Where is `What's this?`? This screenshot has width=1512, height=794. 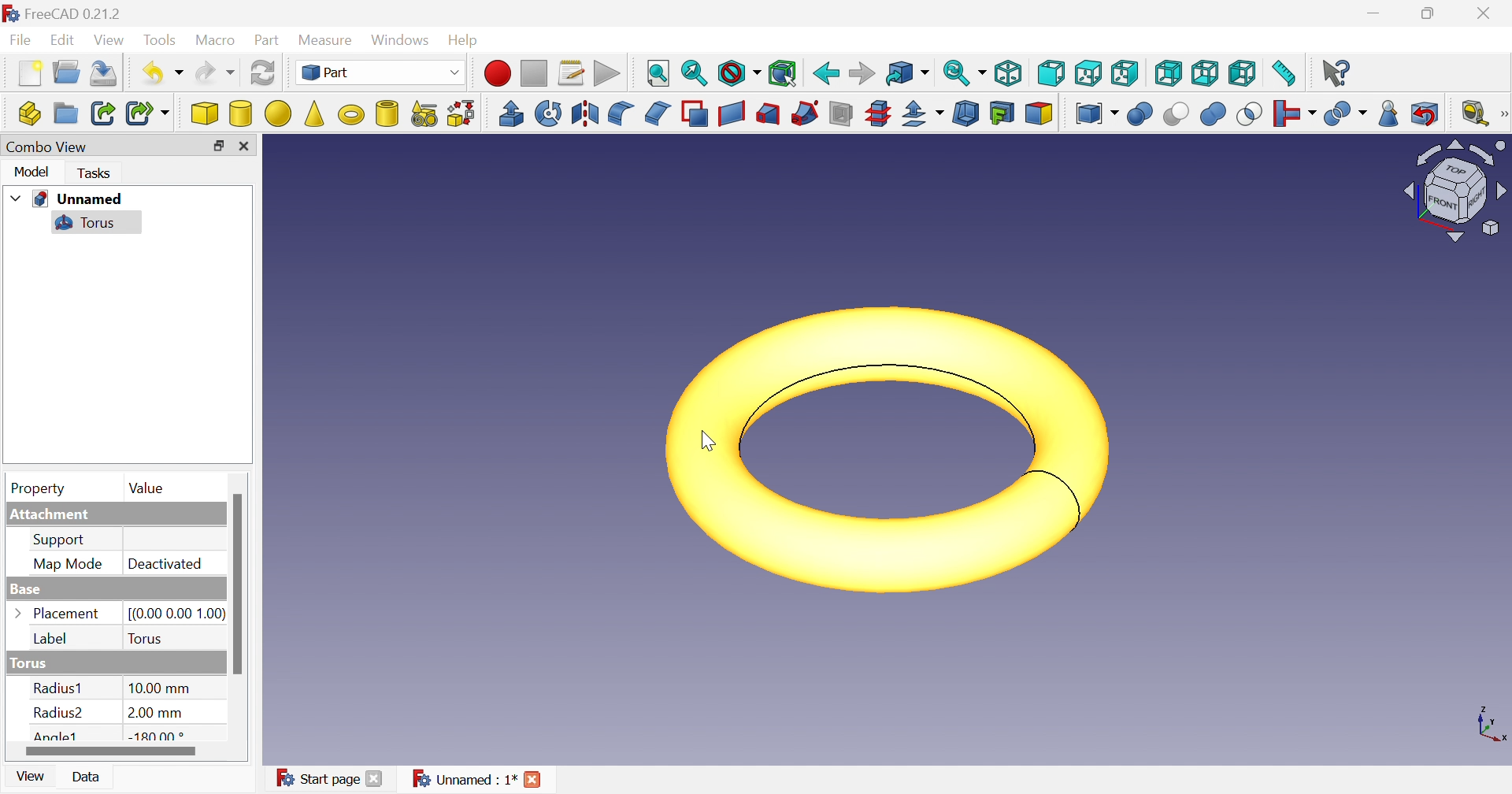
What's this? is located at coordinates (1336, 72).